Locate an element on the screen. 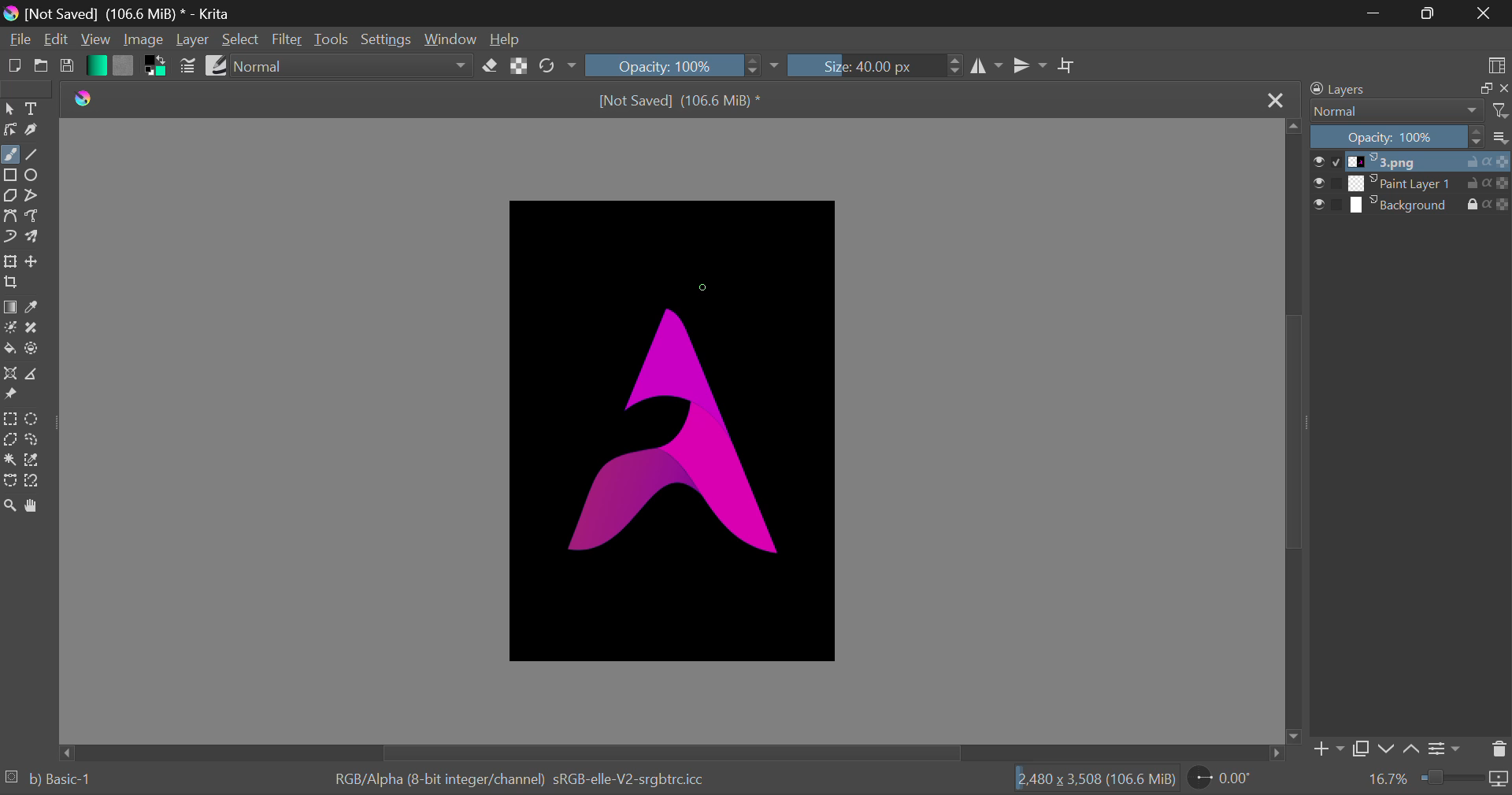 The width and height of the screenshot is (1512, 795). maximize is located at coordinates (1481, 90).